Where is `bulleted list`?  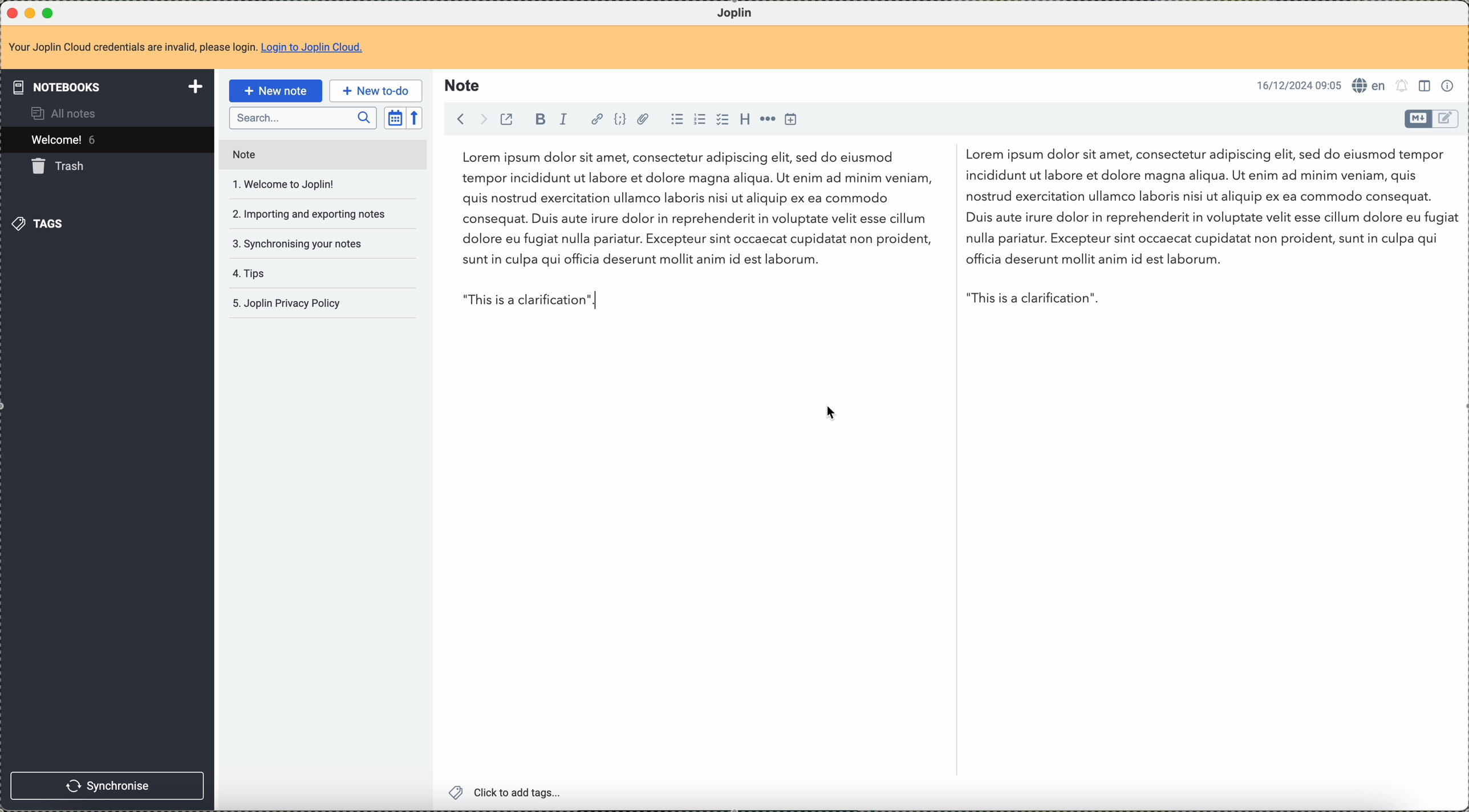
bulleted list is located at coordinates (676, 121).